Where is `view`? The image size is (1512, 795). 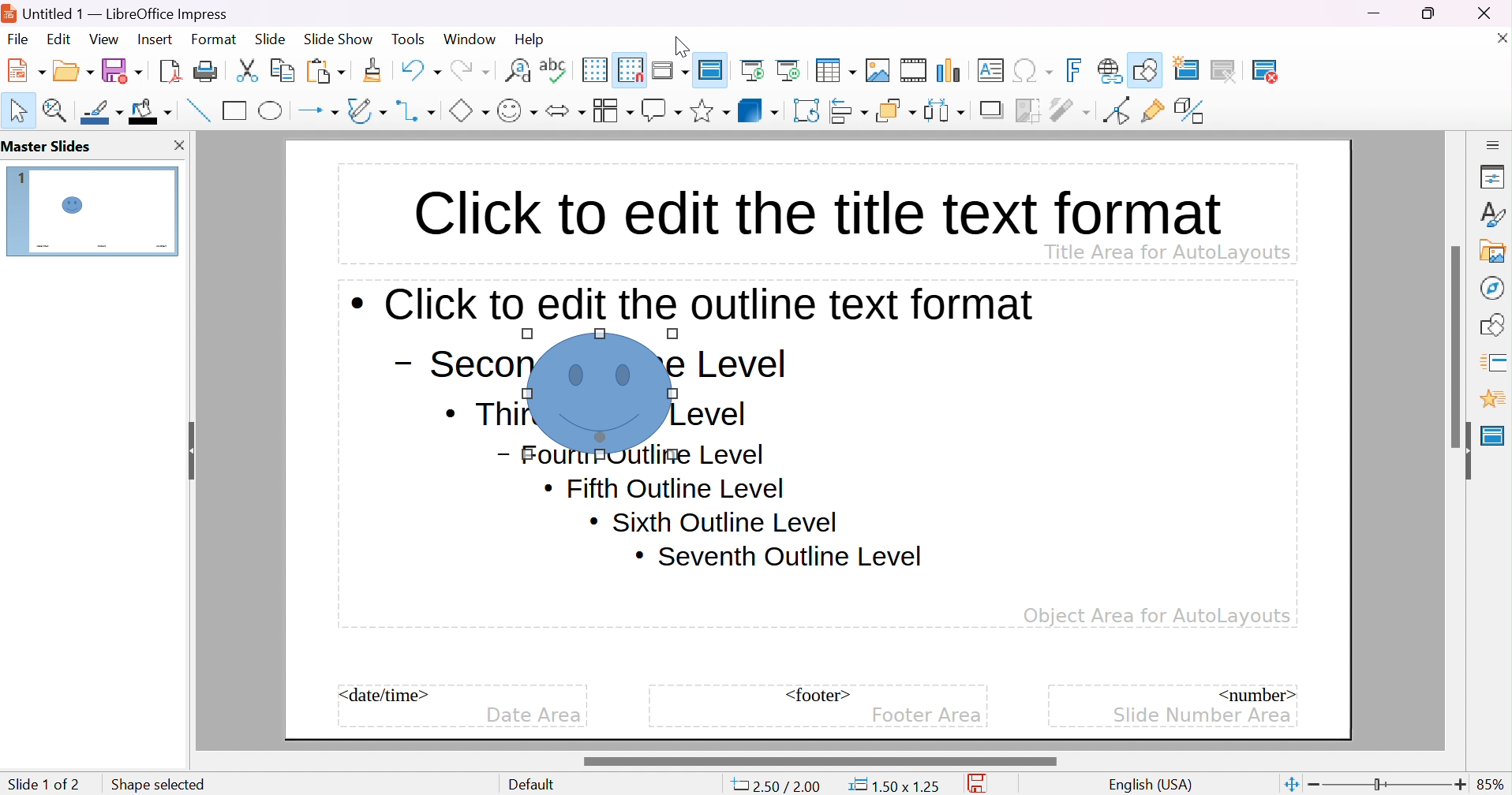 view is located at coordinates (103, 39).